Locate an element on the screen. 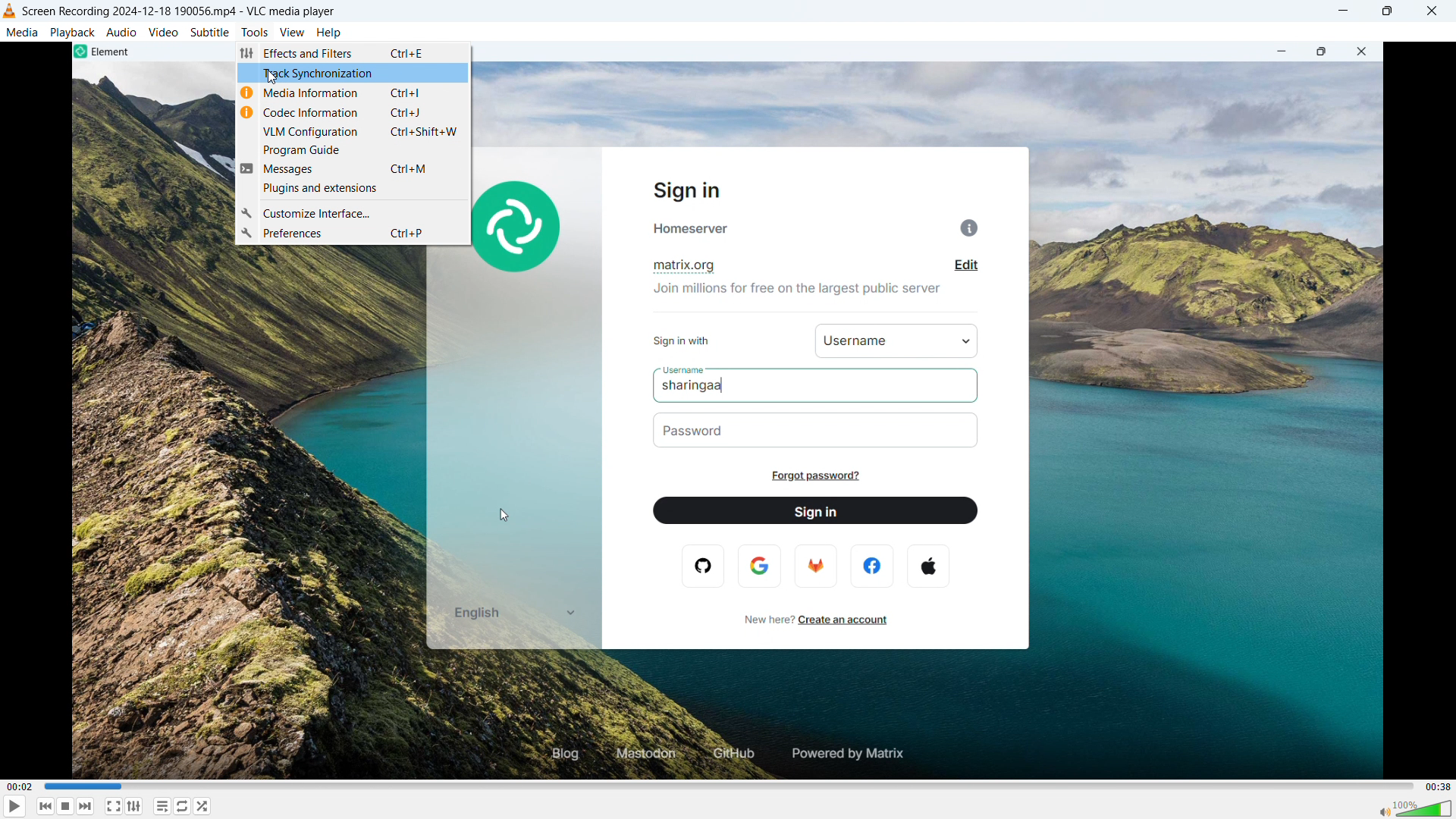 Image resolution: width=1456 pixels, height=819 pixels. close is located at coordinates (1357, 52).